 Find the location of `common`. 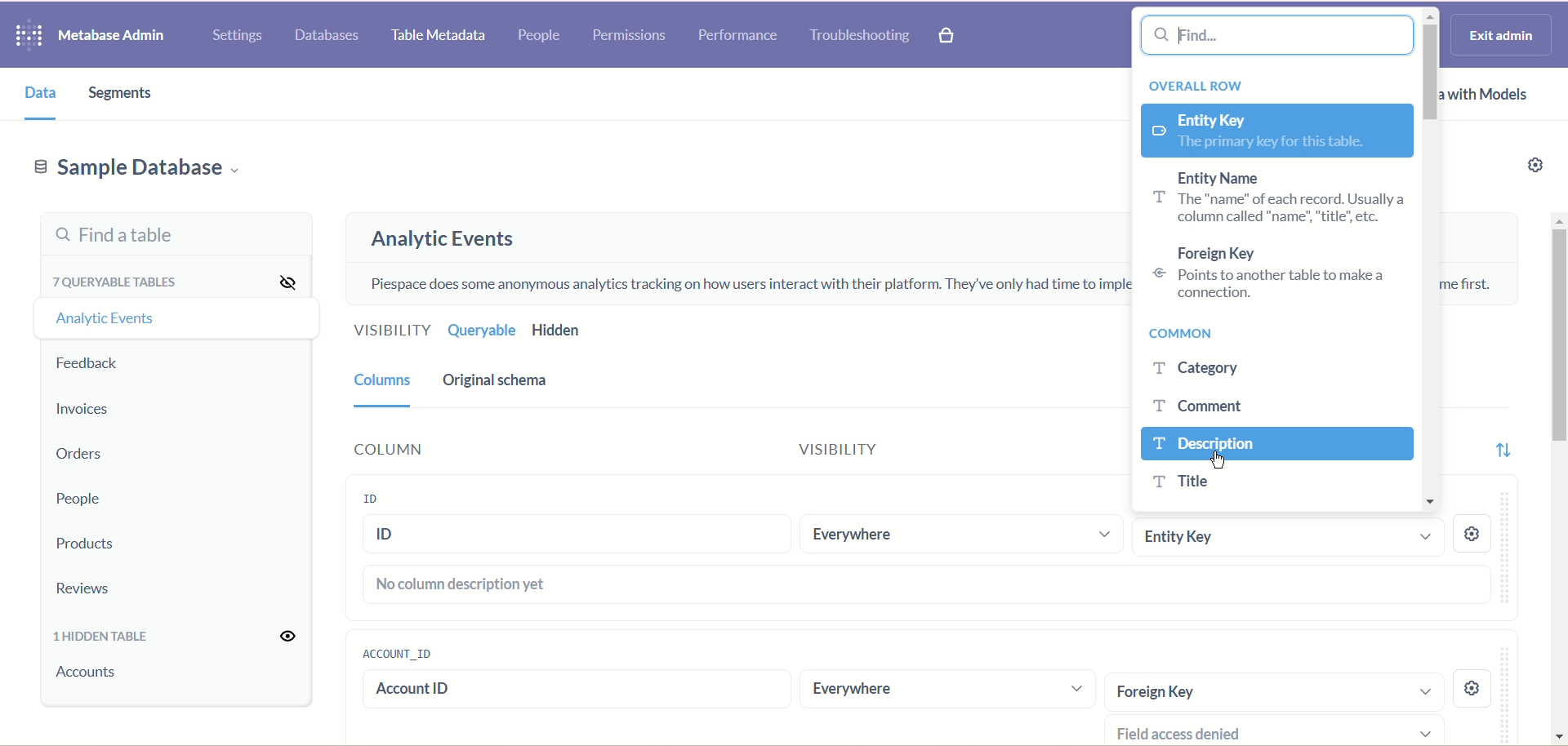

common is located at coordinates (1189, 335).